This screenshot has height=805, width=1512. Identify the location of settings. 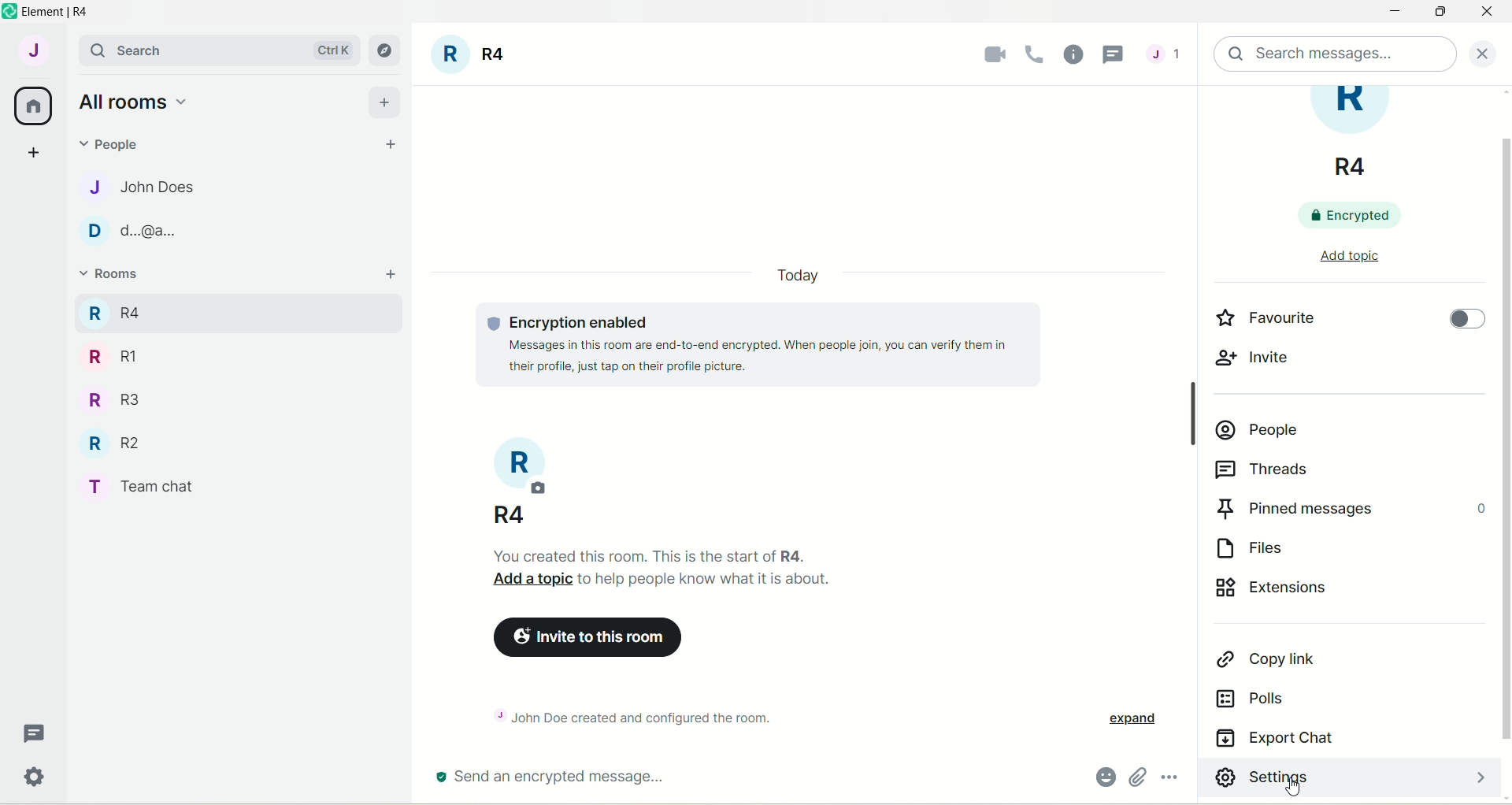
(37, 780).